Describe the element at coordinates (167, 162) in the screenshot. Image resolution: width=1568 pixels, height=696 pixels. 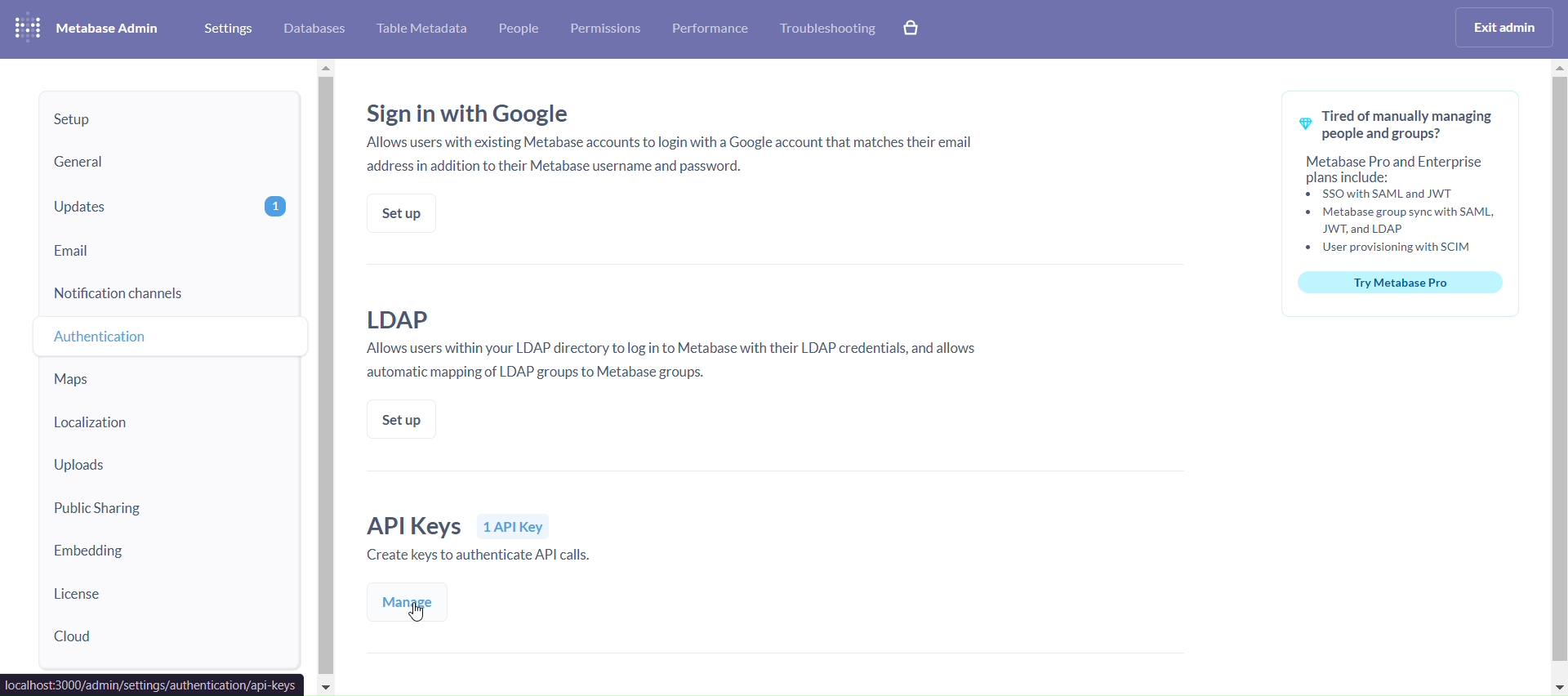
I see `general` at that location.